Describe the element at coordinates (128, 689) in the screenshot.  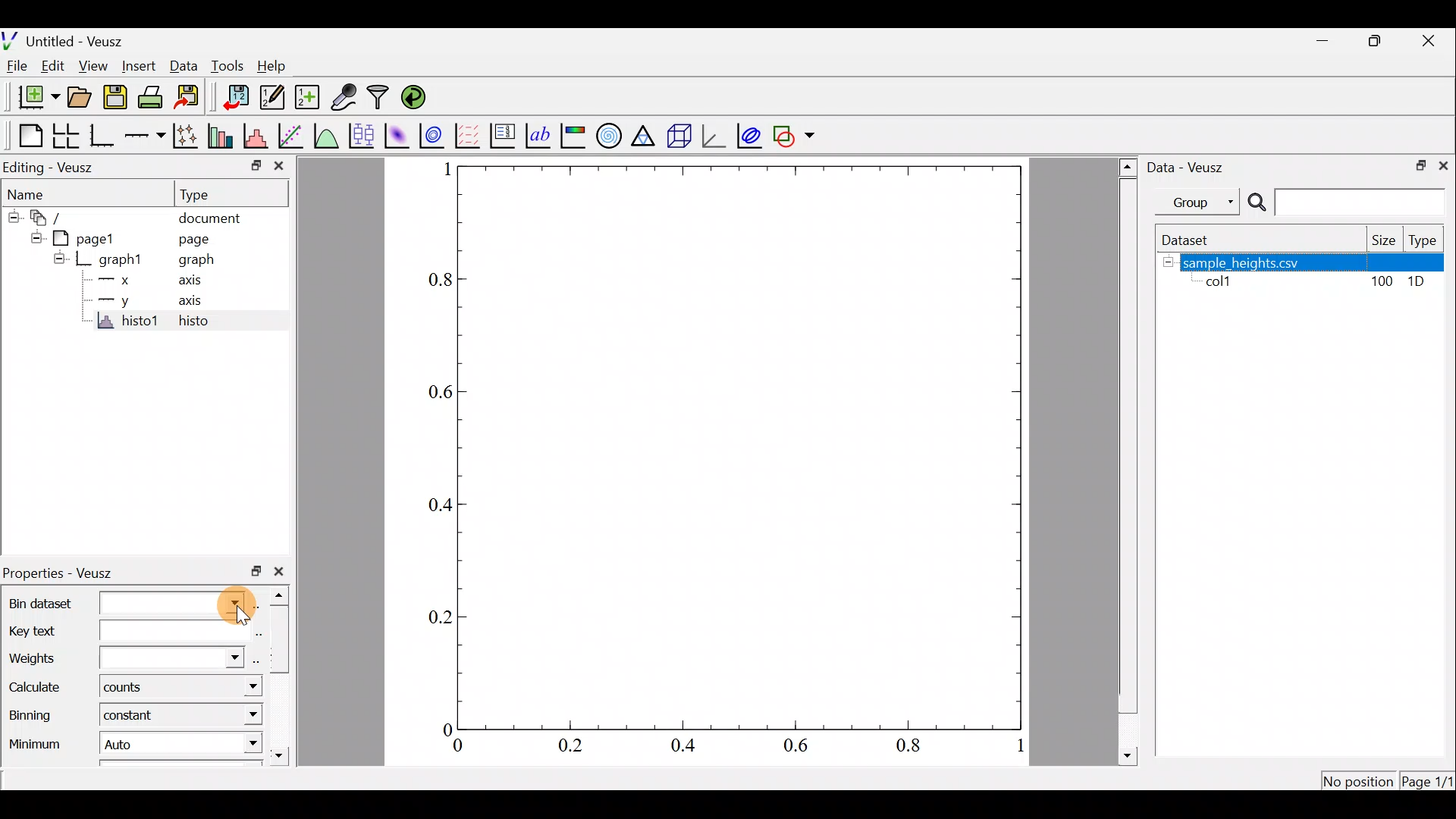
I see `counts` at that location.